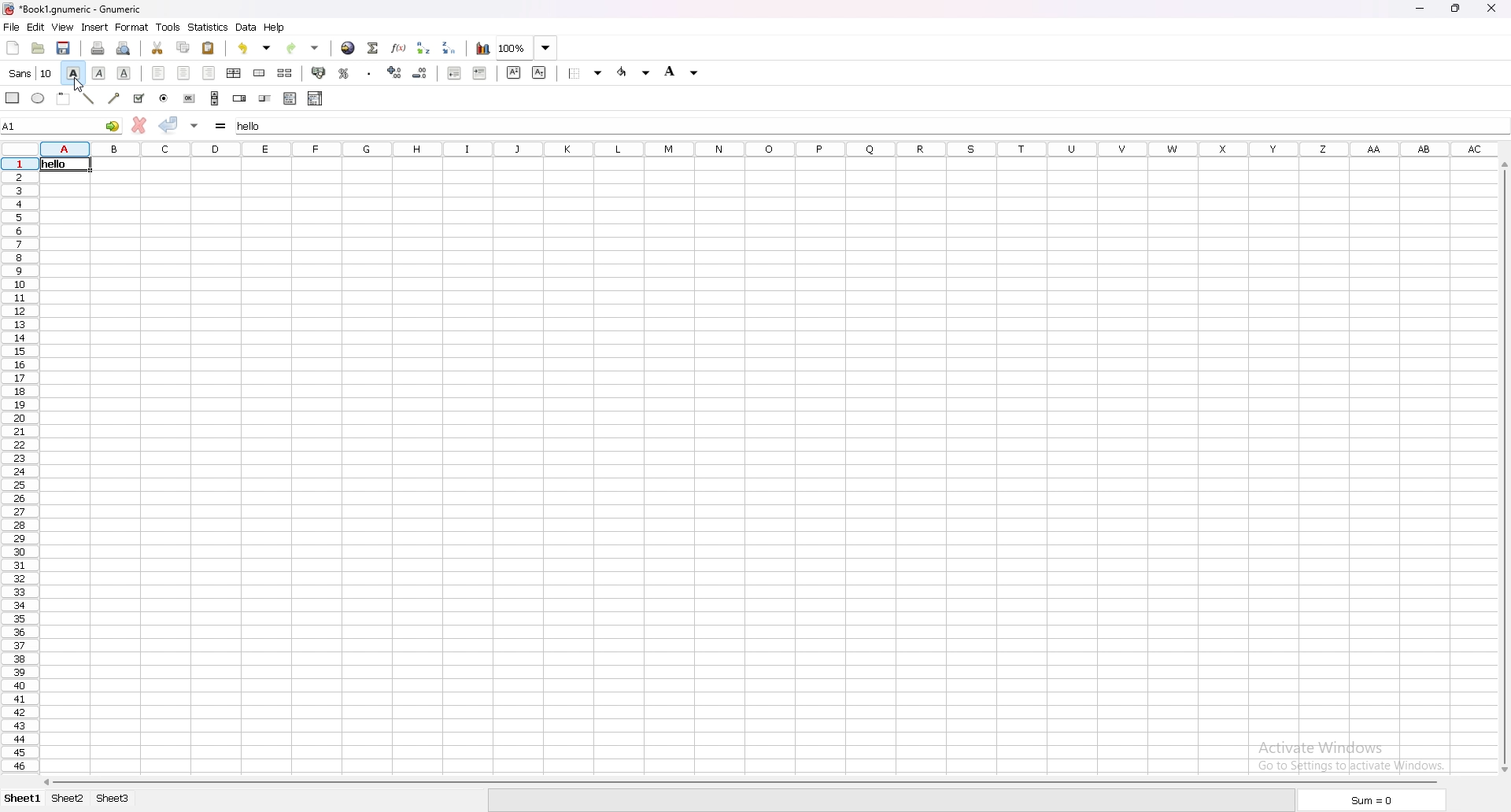 Image resolution: width=1511 pixels, height=812 pixels. What do you see at coordinates (68, 799) in the screenshot?
I see `sheet 2` at bounding box center [68, 799].